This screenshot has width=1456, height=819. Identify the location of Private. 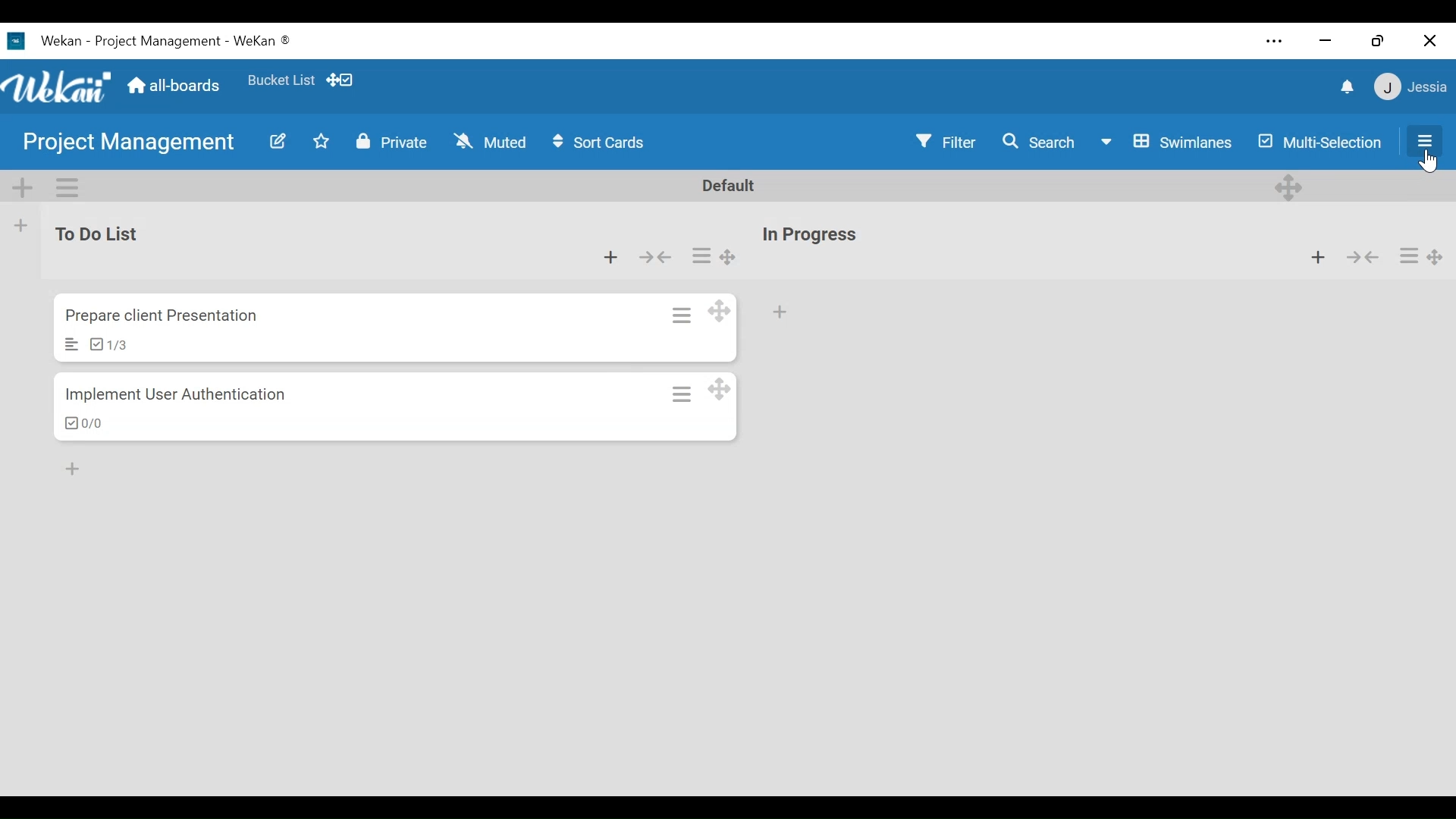
(391, 142).